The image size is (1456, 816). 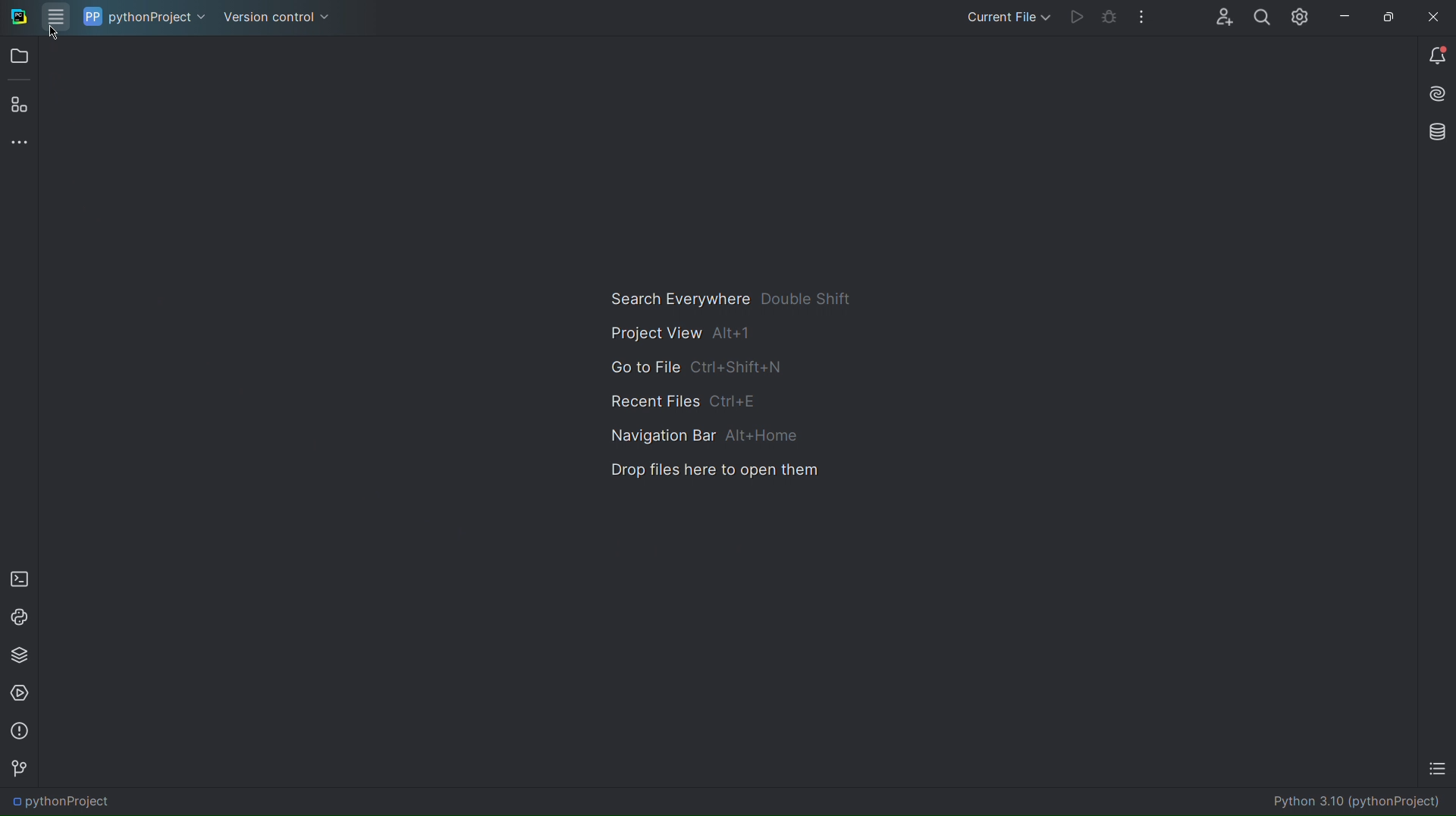 What do you see at coordinates (20, 732) in the screenshot?
I see `Problems` at bounding box center [20, 732].